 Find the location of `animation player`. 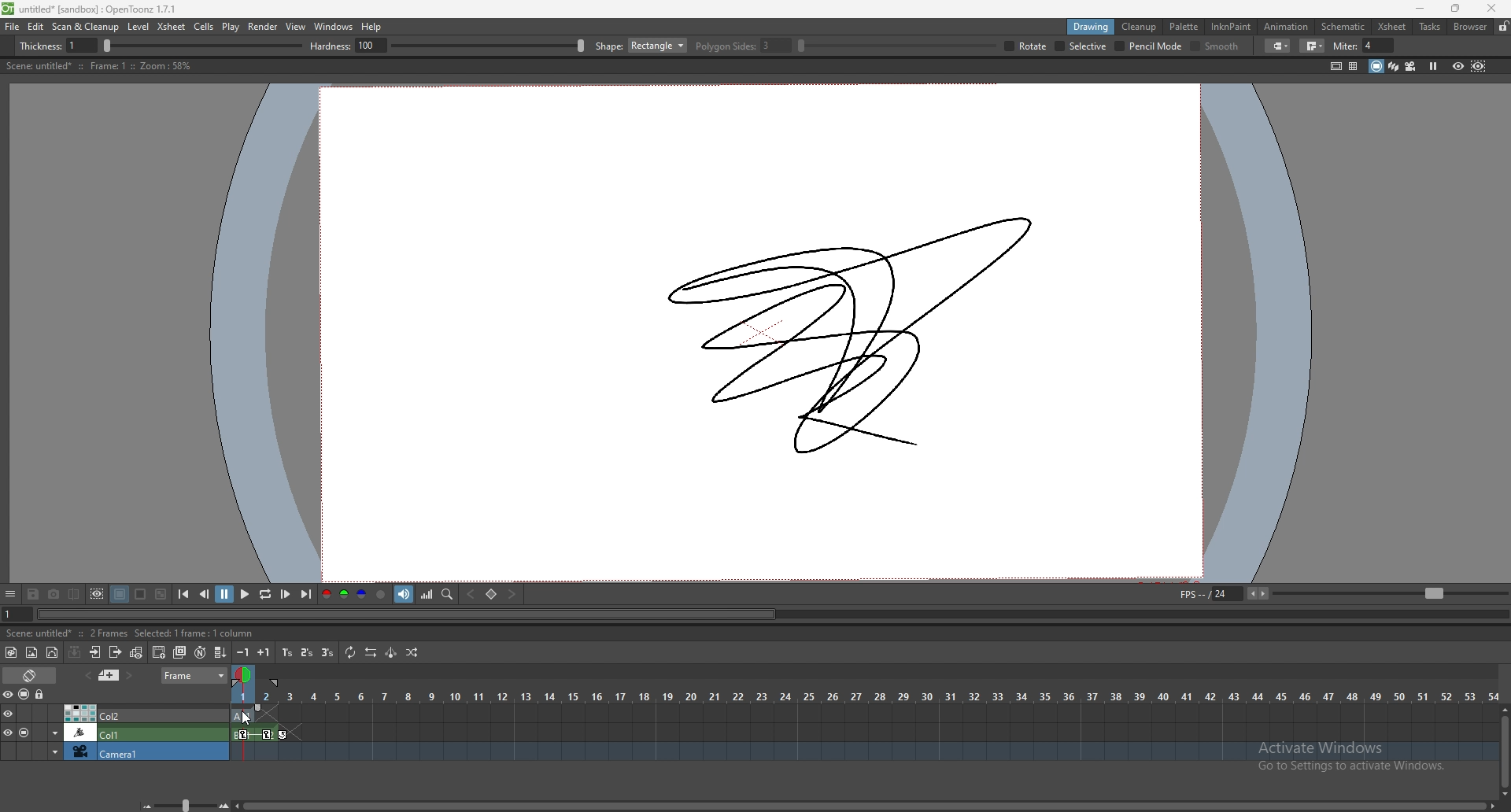

animation player is located at coordinates (771, 613).